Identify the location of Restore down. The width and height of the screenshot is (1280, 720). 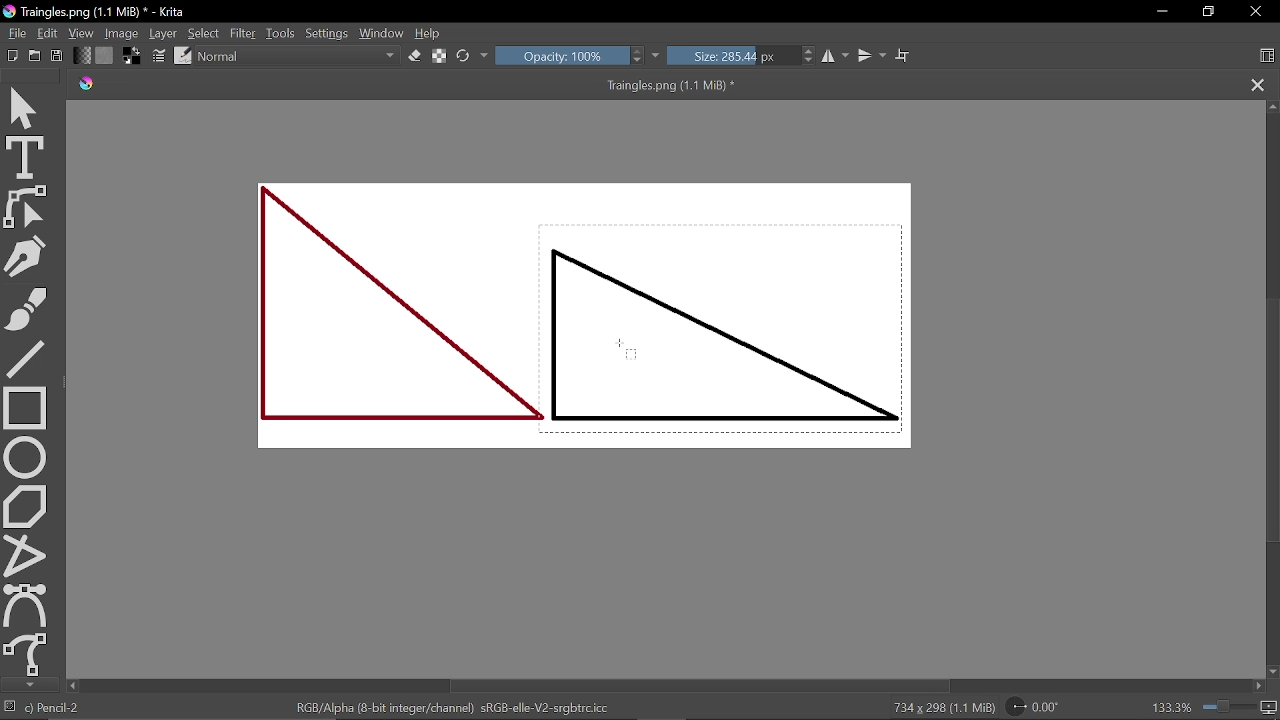
(1207, 12).